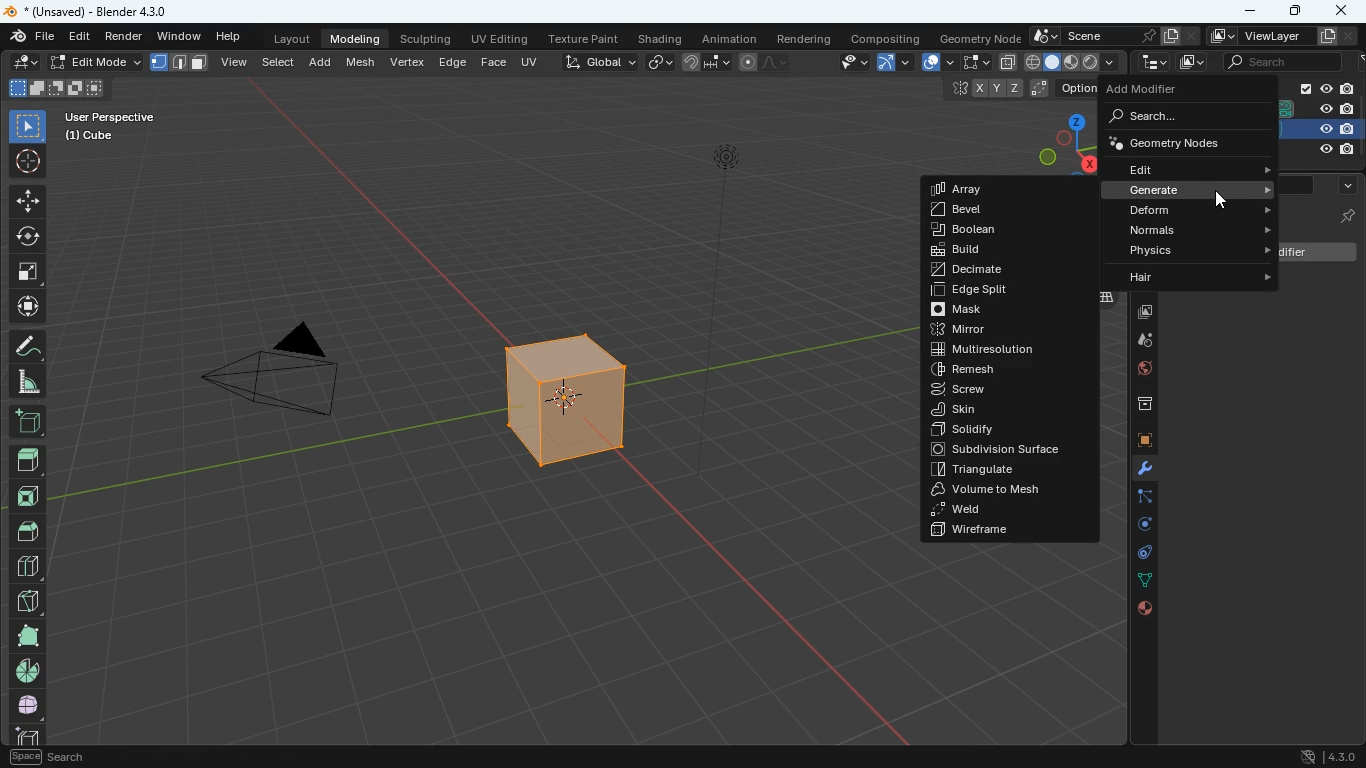  I want to click on format, so click(181, 61).